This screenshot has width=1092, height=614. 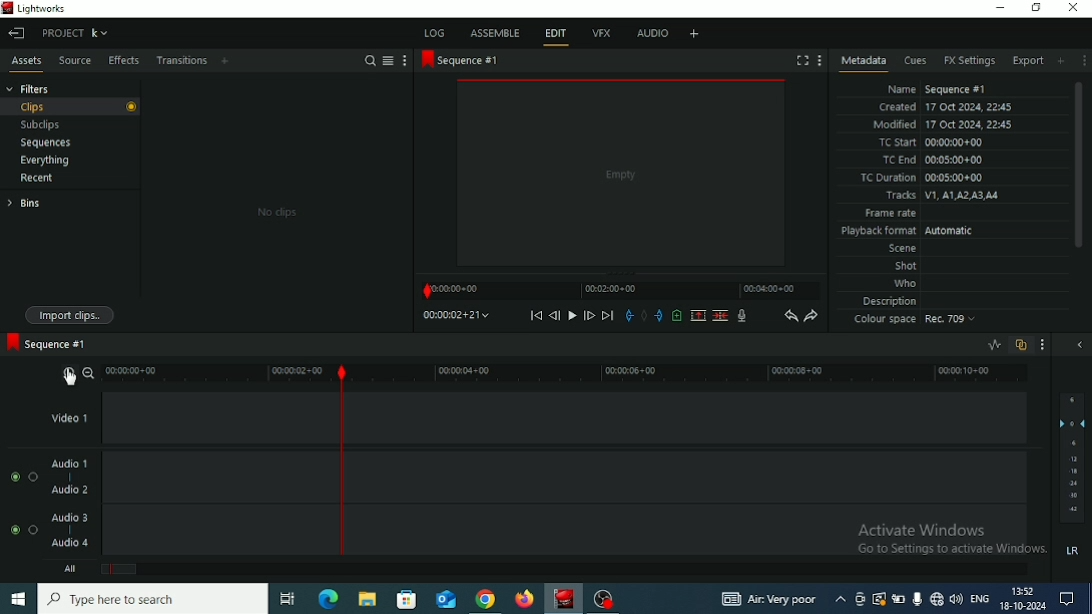 What do you see at coordinates (891, 302) in the screenshot?
I see `Description` at bounding box center [891, 302].